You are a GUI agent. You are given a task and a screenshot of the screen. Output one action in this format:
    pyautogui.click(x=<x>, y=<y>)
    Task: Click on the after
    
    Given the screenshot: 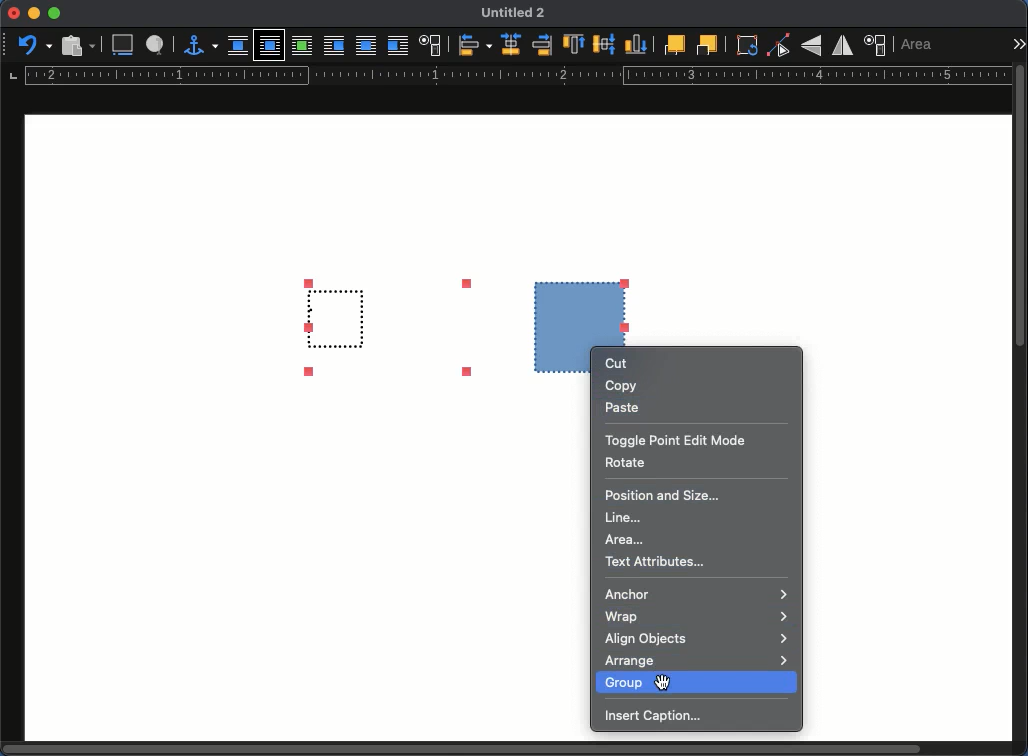 What is the action you would take?
    pyautogui.click(x=398, y=46)
    